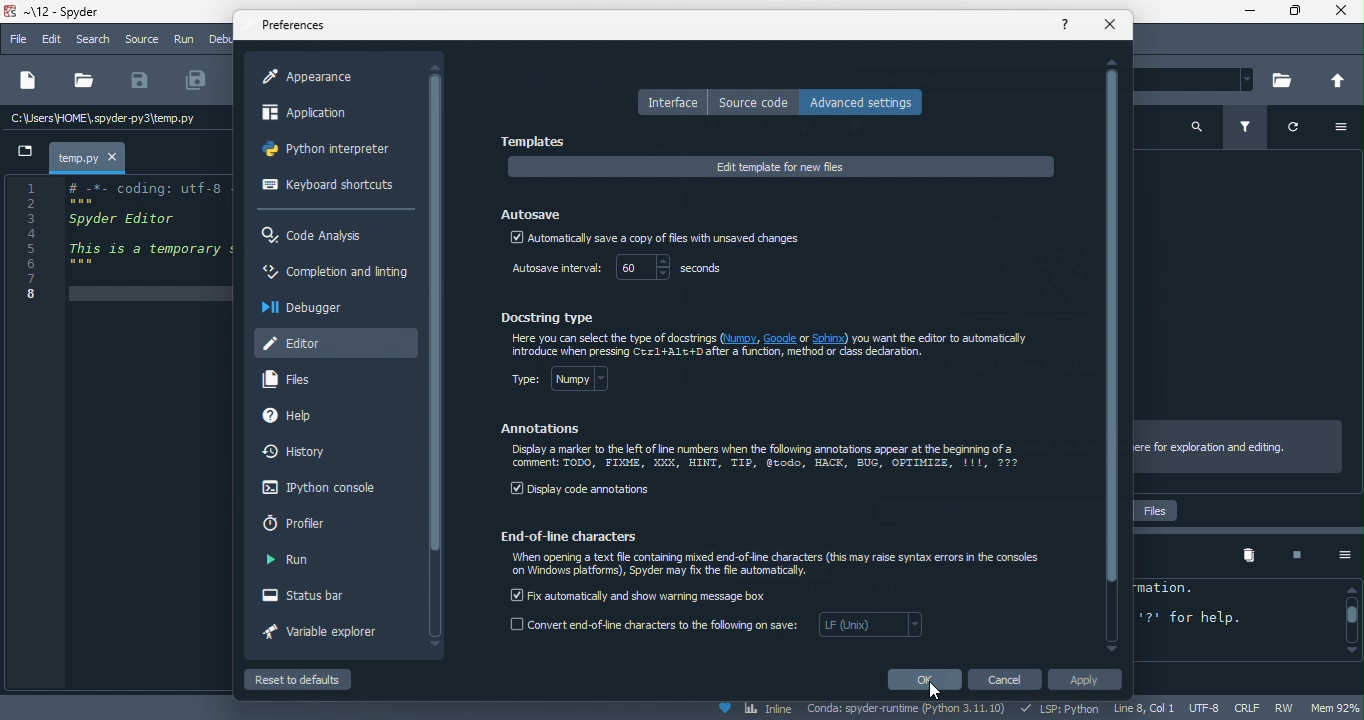  I want to click on docstring, so click(553, 316).